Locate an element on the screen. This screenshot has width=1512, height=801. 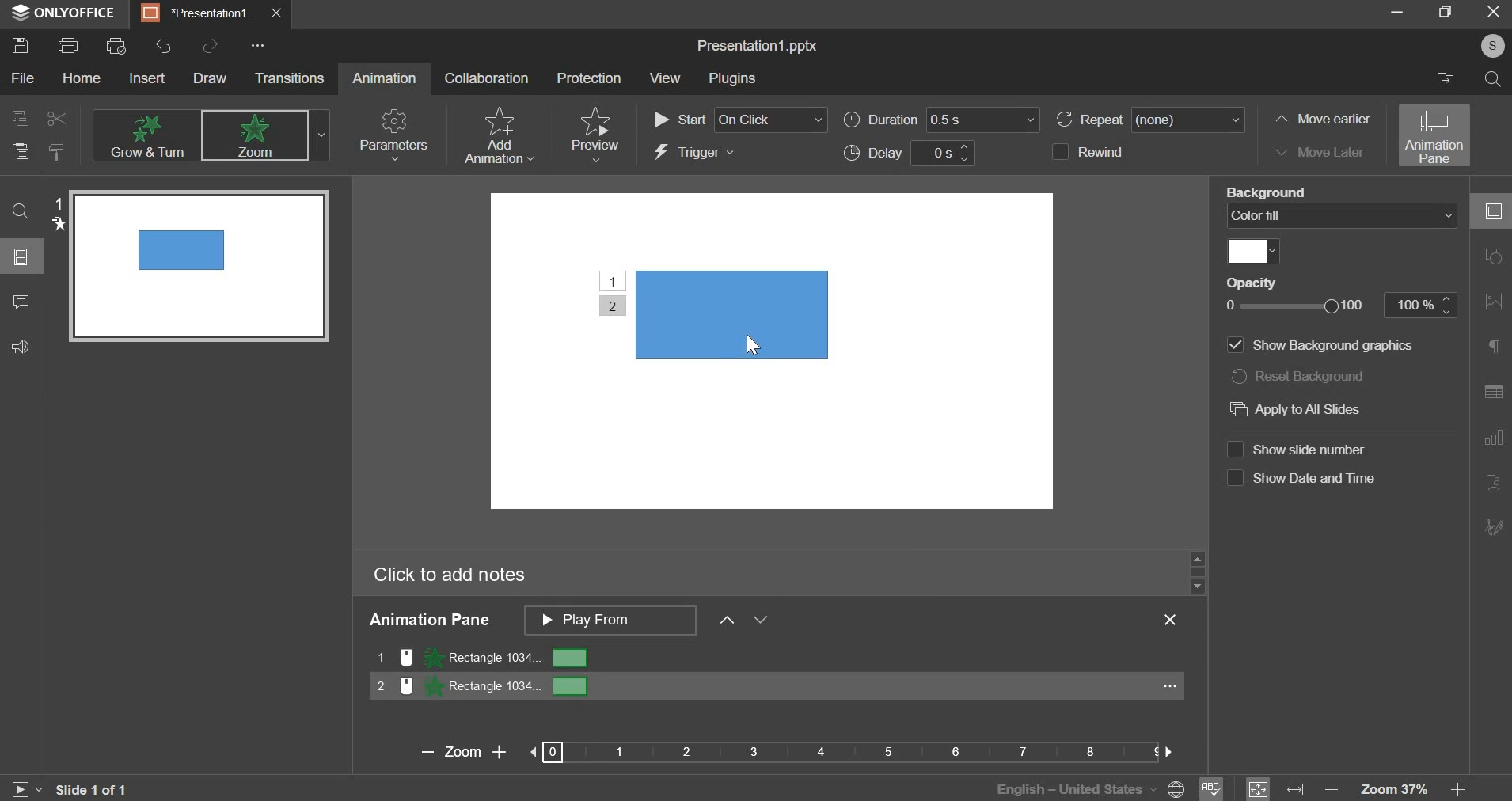
animation pane is located at coordinates (1433, 135).